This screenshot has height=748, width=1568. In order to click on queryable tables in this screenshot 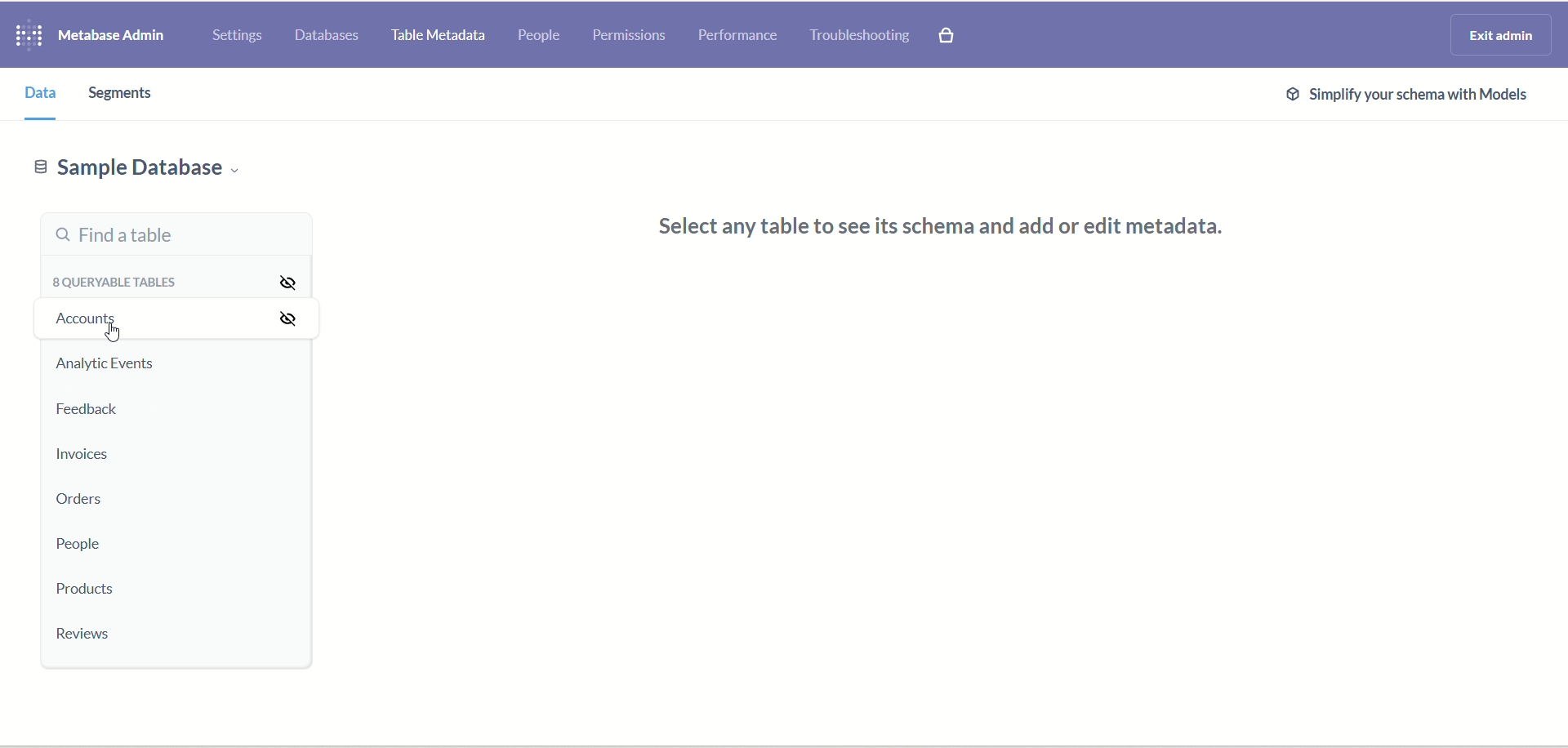, I will do `click(114, 287)`.